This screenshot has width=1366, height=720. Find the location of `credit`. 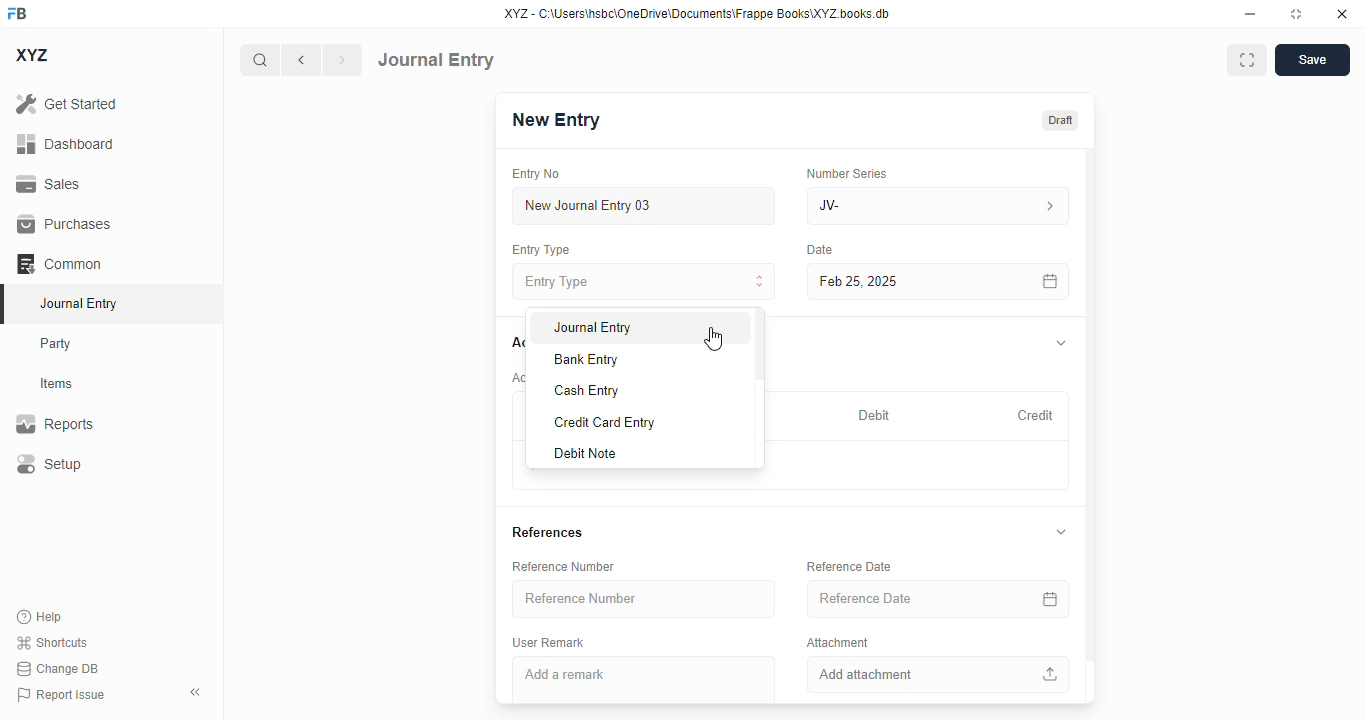

credit is located at coordinates (1037, 416).